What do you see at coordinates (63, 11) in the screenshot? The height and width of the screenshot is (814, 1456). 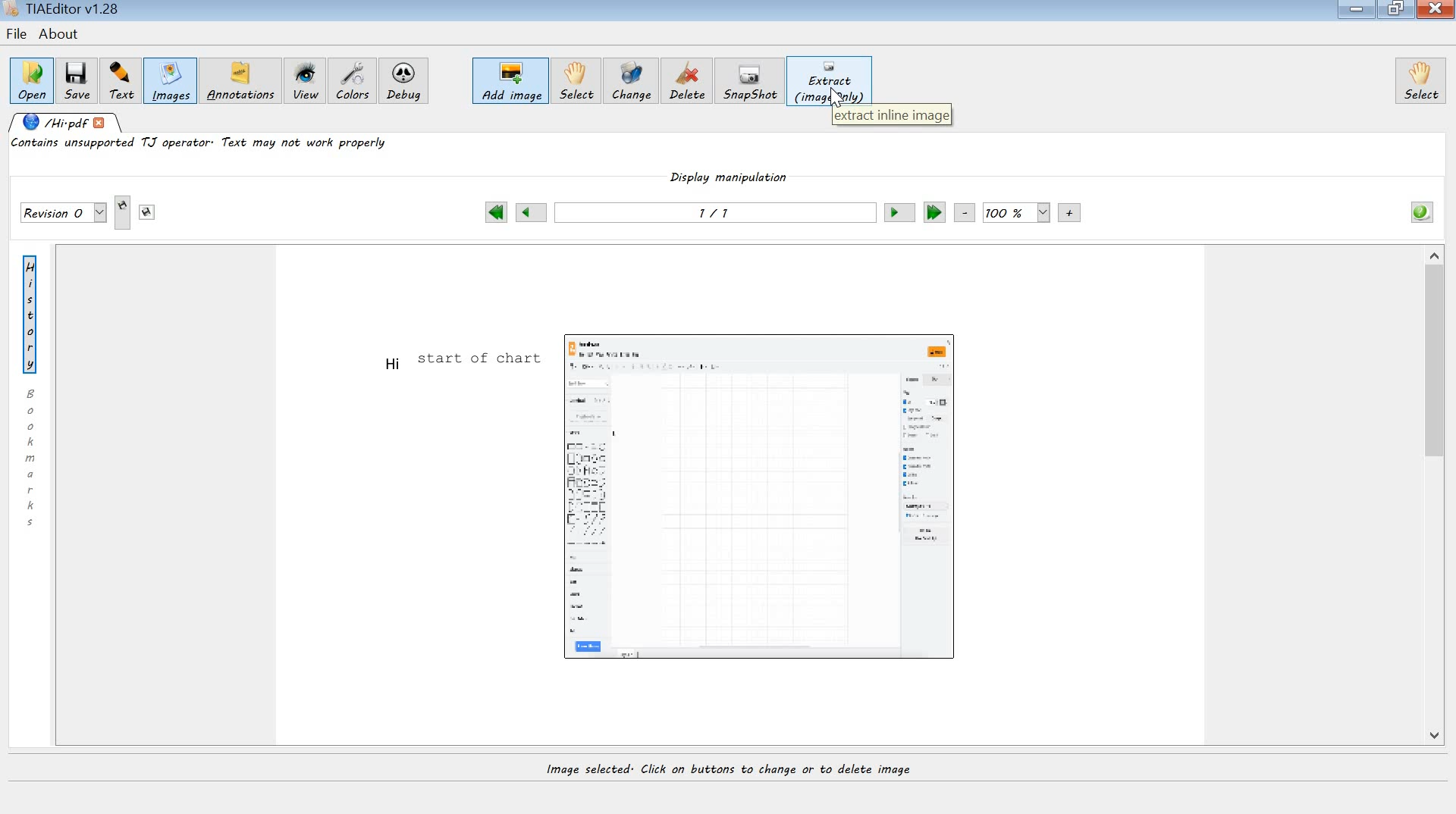 I see `system name` at bounding box center [63, 11].